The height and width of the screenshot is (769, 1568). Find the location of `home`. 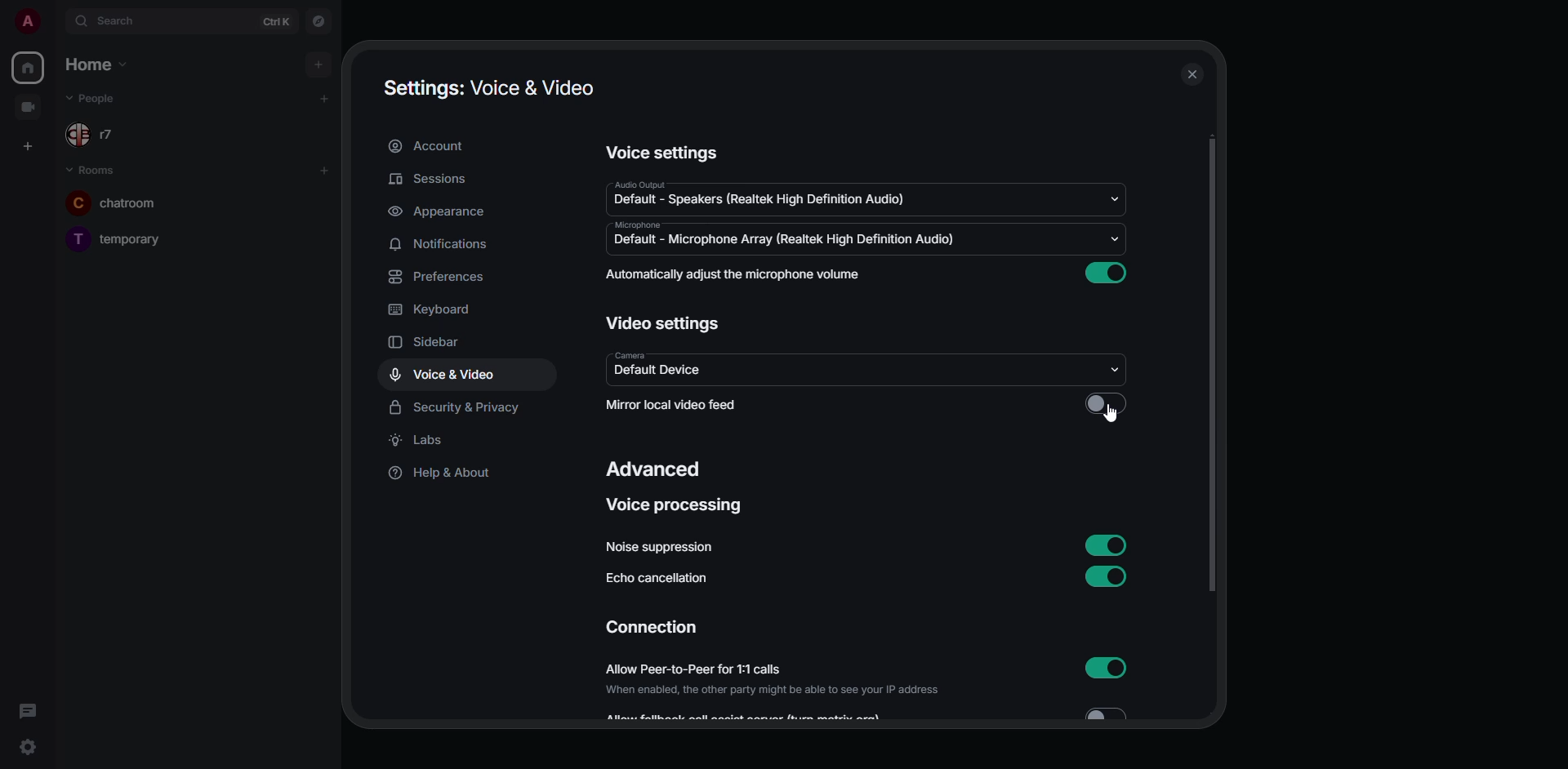

home is located at coordinates (29, 66).